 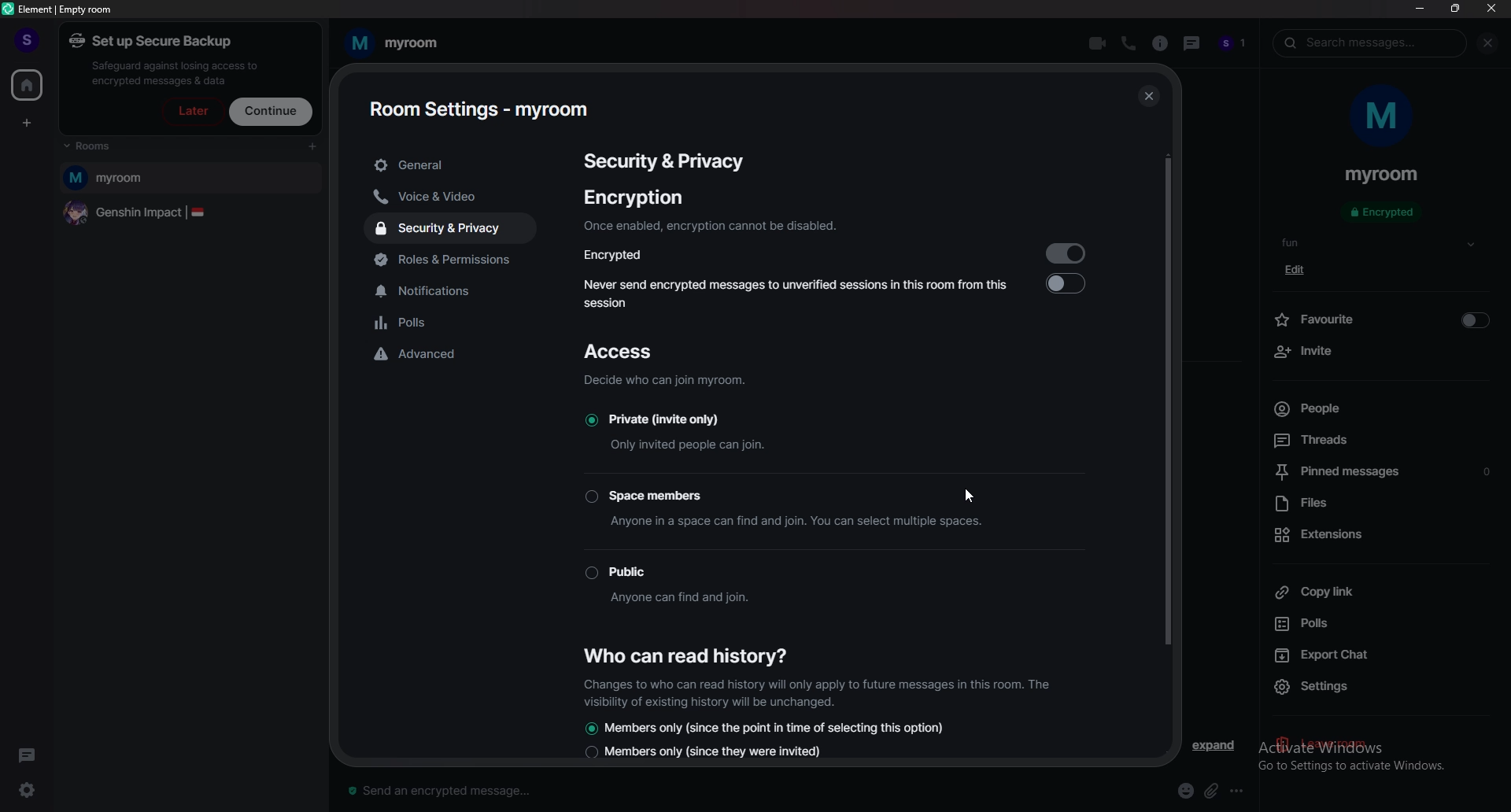 What do you see at coordinates (1491, 43) in the screenshot?
I see `close` at bounding box center [1491, 43].